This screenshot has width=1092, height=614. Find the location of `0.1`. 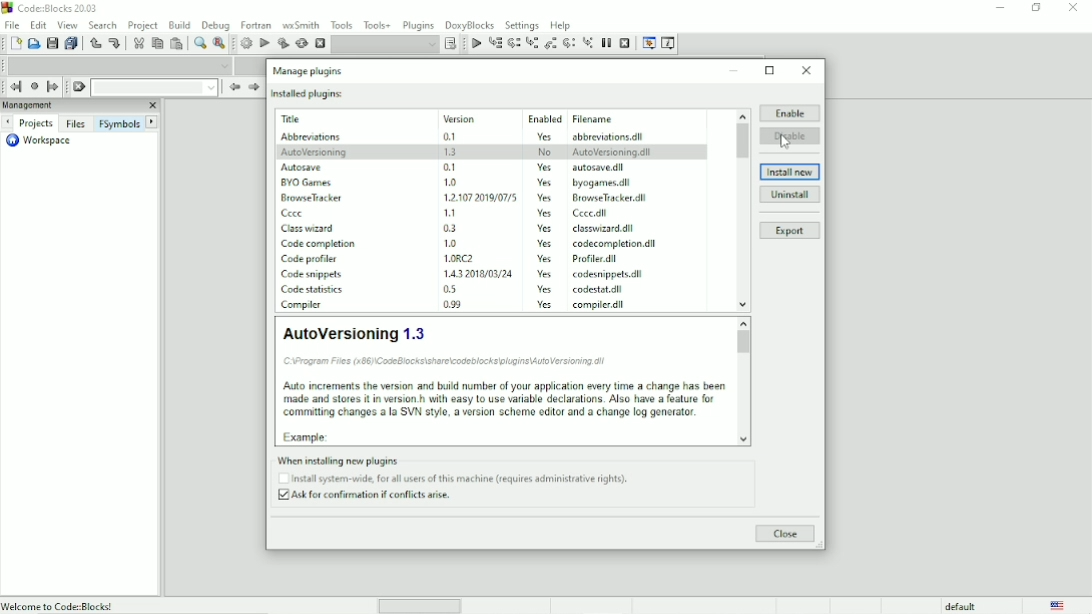

0.1 is located at coordinates (450, 167).